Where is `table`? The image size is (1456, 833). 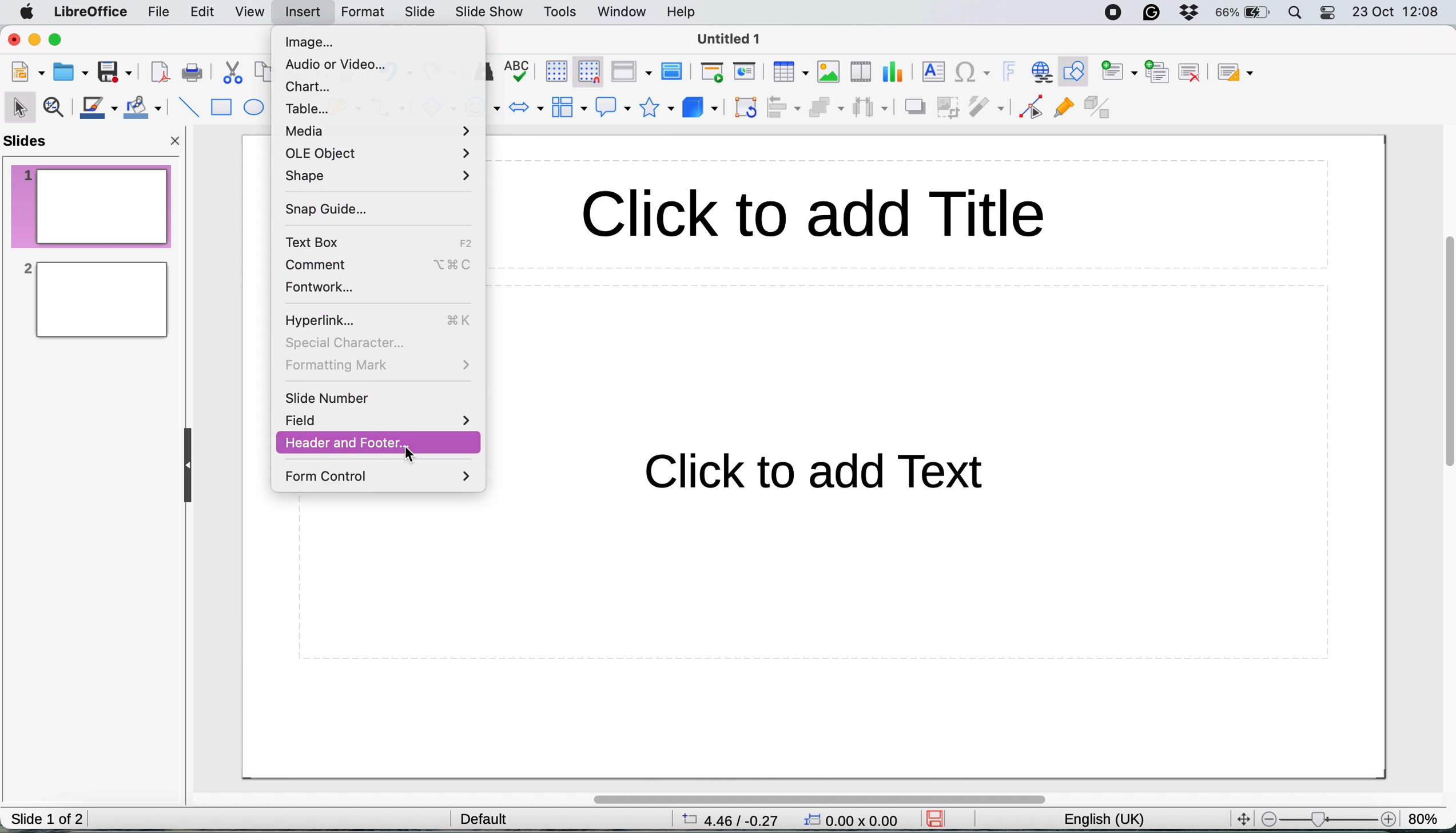 table is located at coordinates (312, 108).